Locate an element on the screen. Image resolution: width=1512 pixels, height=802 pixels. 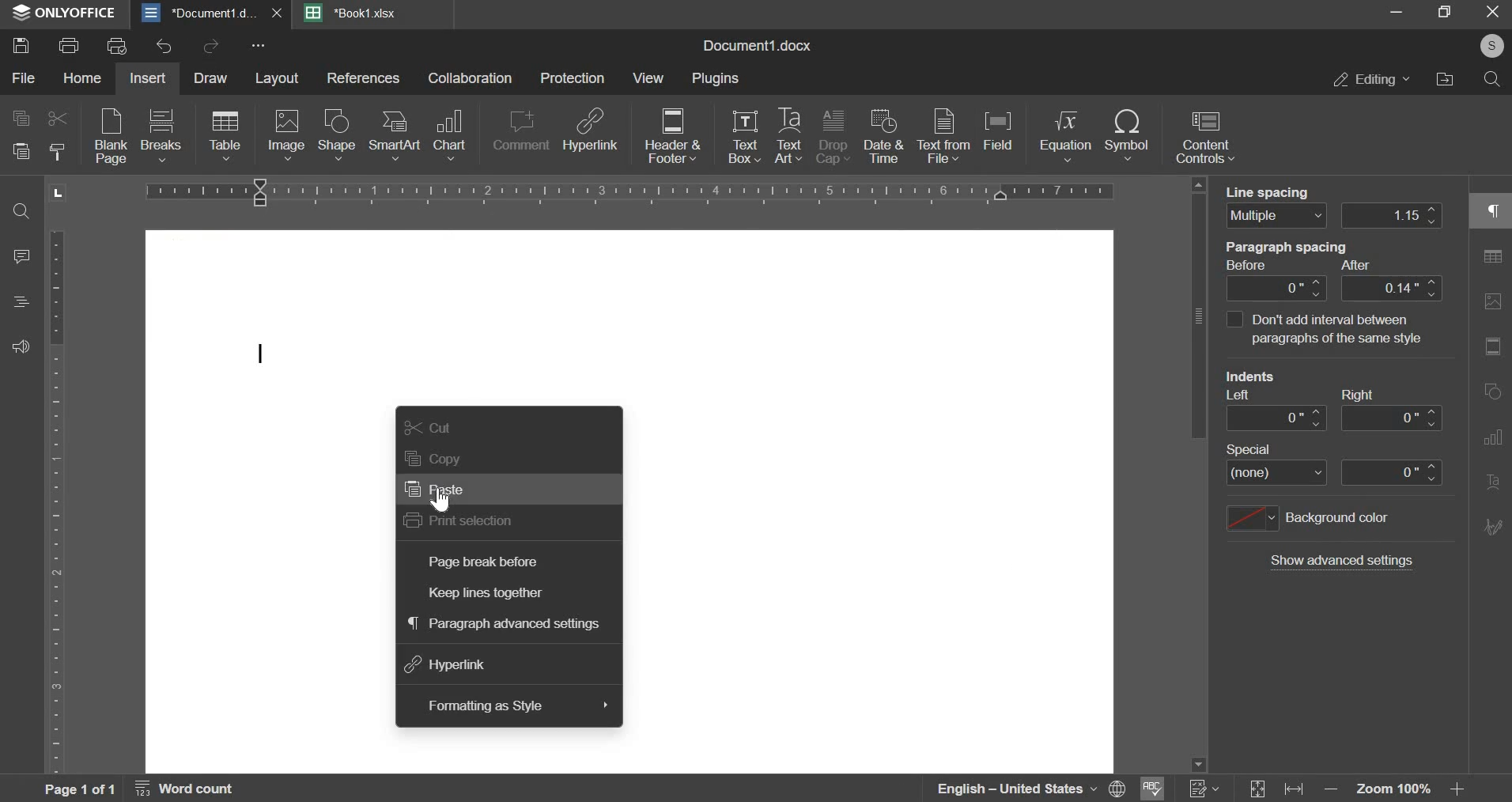
show advanced settings is located at coordinates (1344, 562).